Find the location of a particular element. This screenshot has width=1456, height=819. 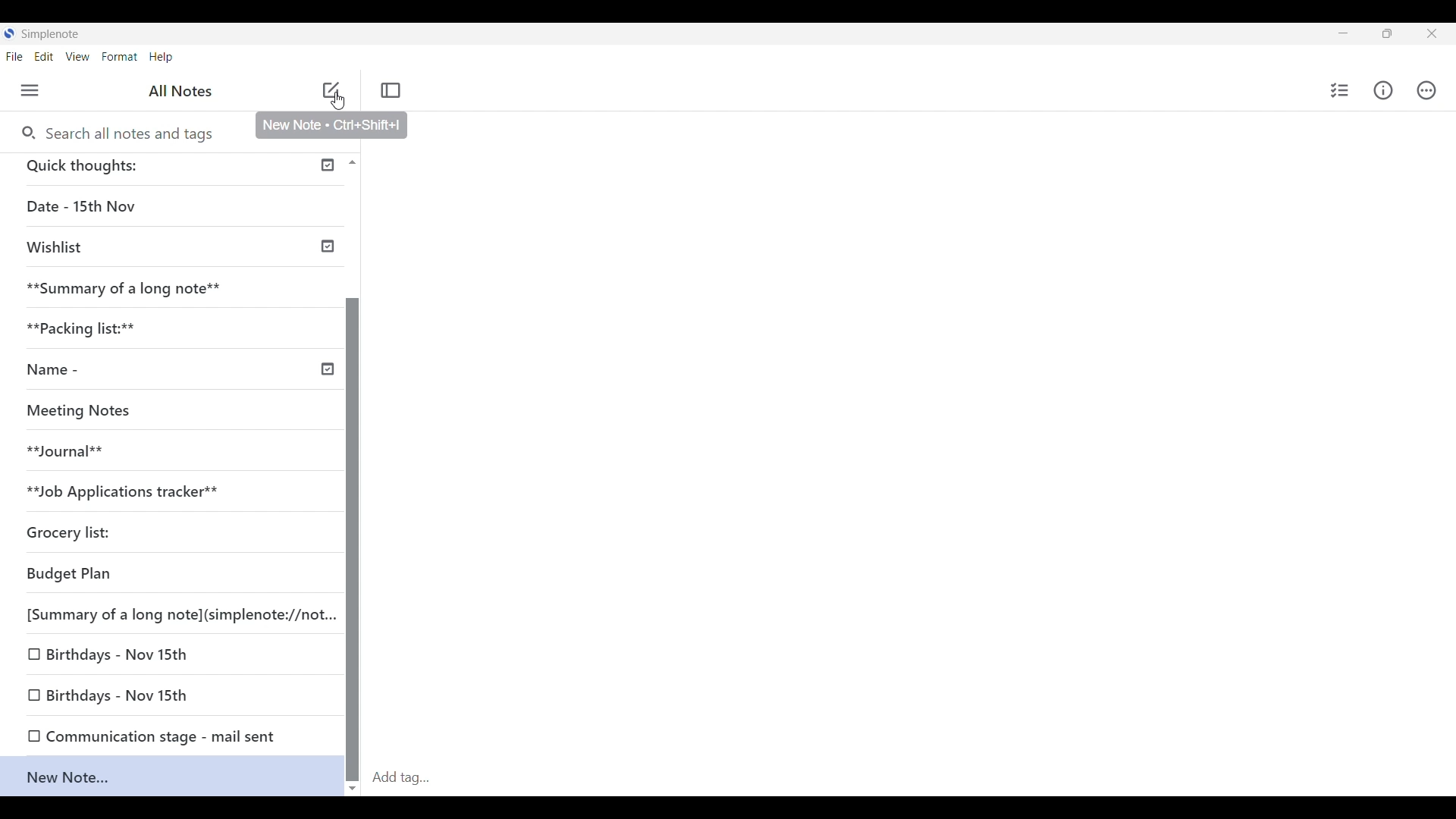

Menu is located at coordinates (30, 91).